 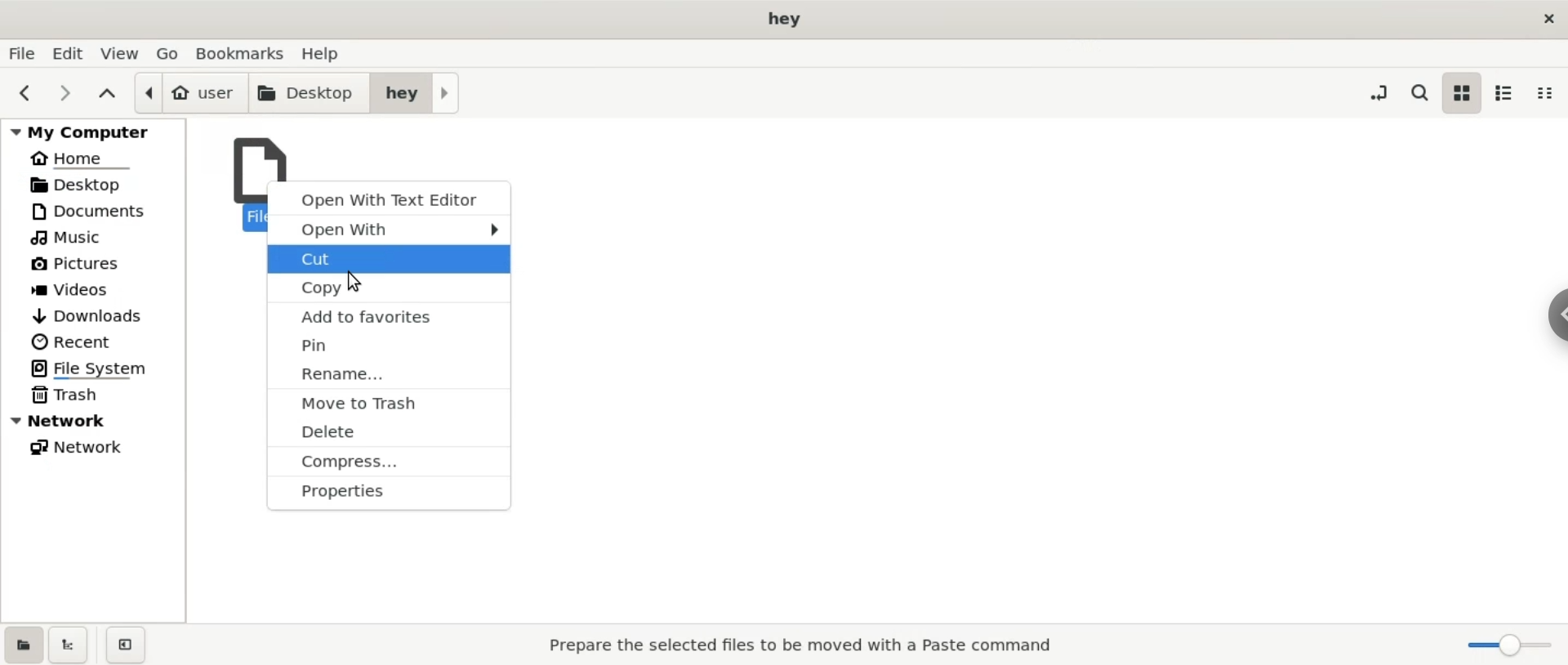 What do you see at coordinates (93, 159) in the screenshot?
I see `home` at bounding box center [93, 159].